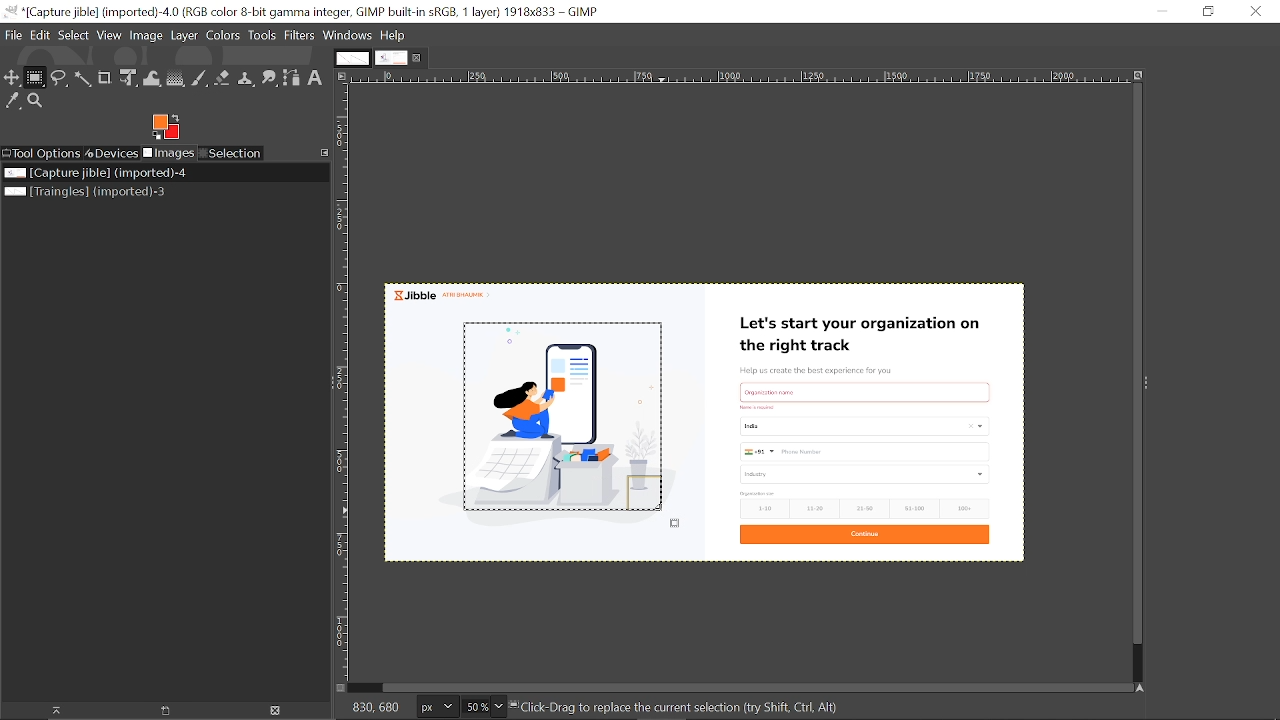 This screenshot has width=1280, height=720. I want to click on Toggle quick mask On/Off, so click(341, 688).